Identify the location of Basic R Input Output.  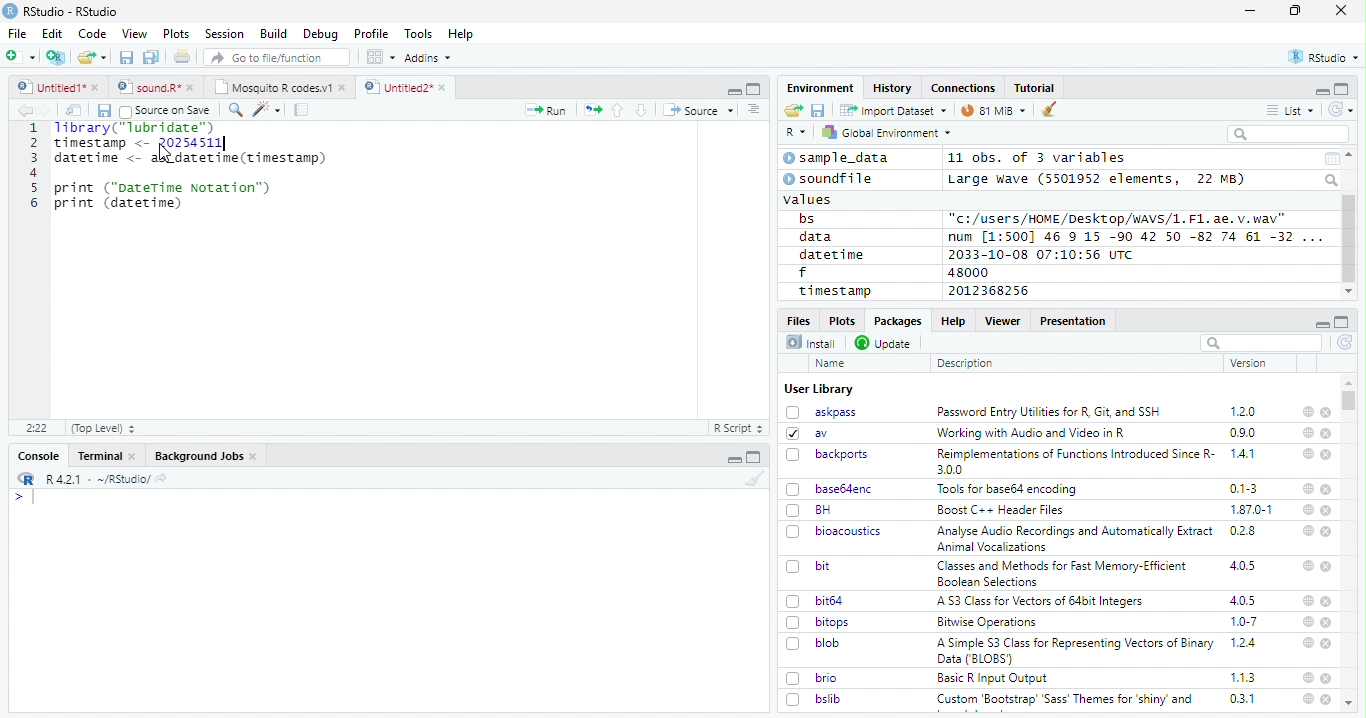
(995, 678).